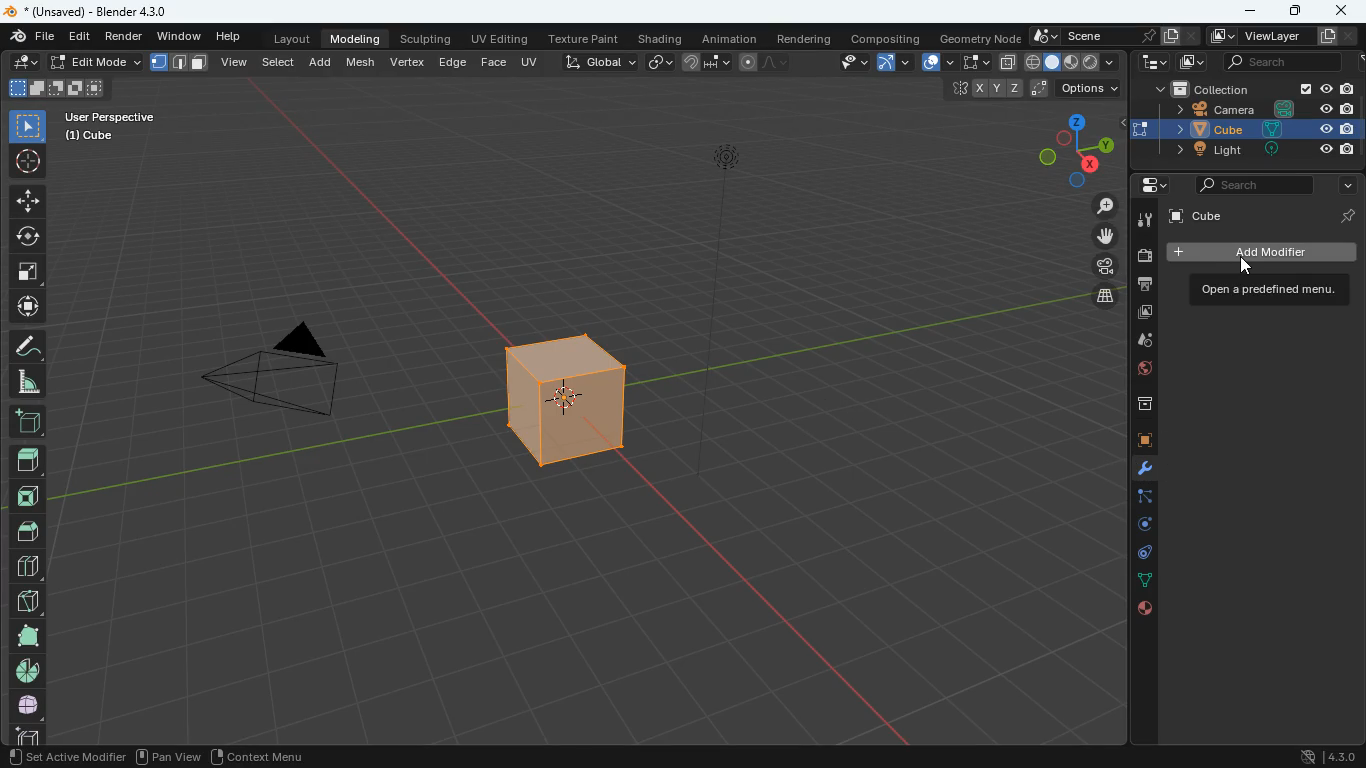 The width and height of the screenshot is (1366, 768). Describe the element at coordinates (500, 38) in the screenshot. I see `uv editing` at that location.